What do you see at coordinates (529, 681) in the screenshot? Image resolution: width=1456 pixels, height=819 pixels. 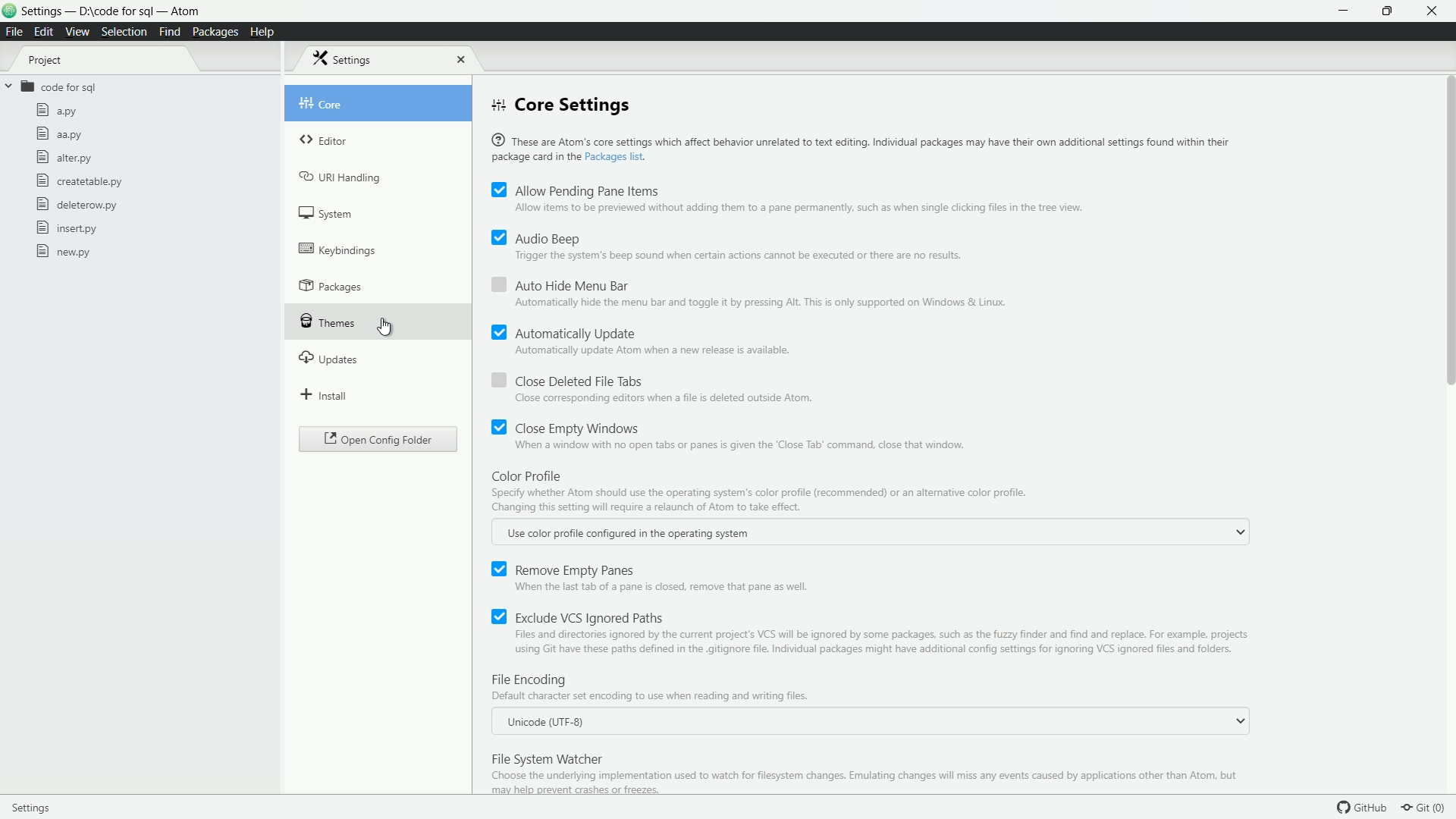 I see `file encoding` at bounding box center [529, 681].